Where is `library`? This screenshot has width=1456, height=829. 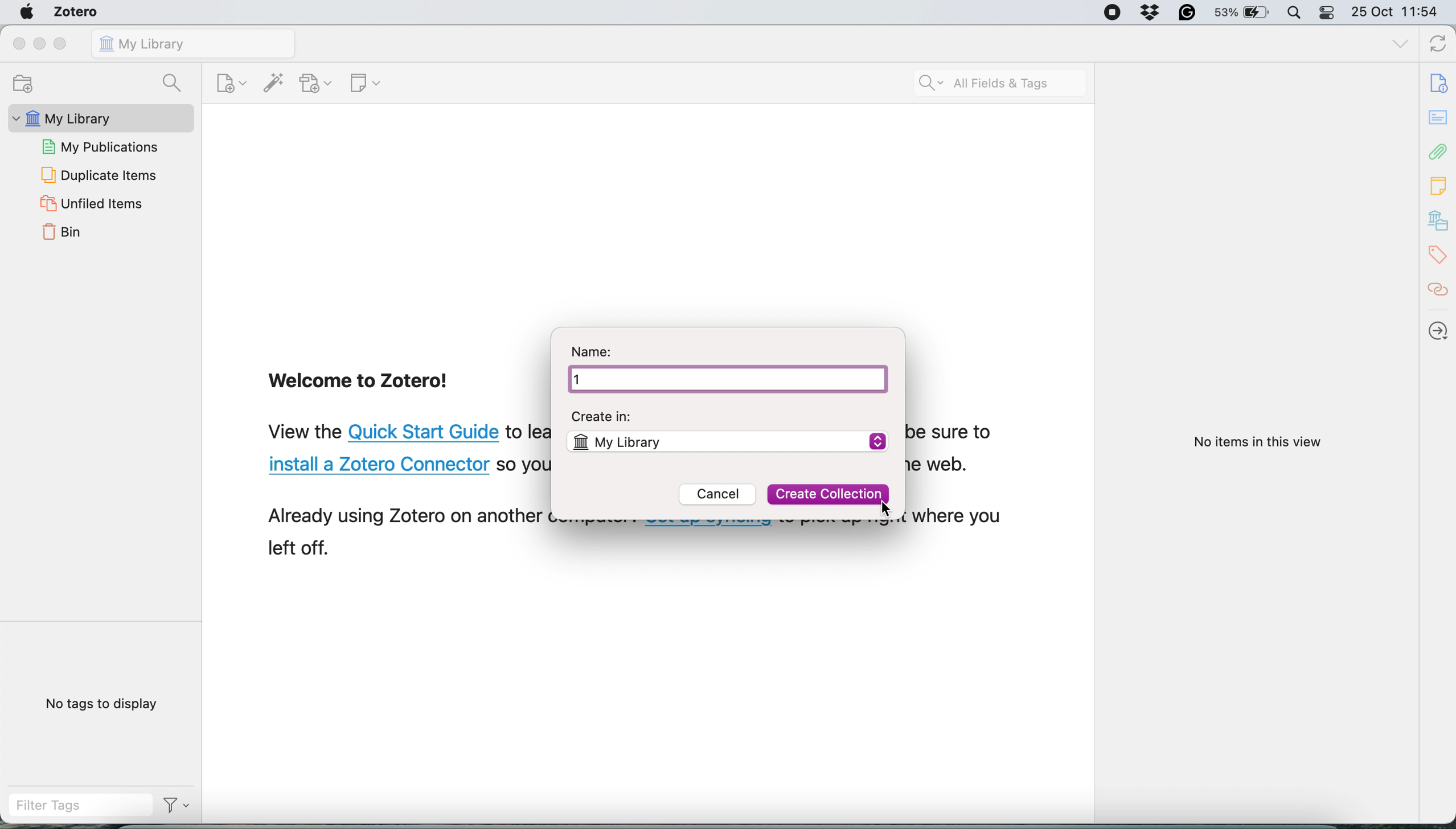 library is located at coordinates (1439, 222).